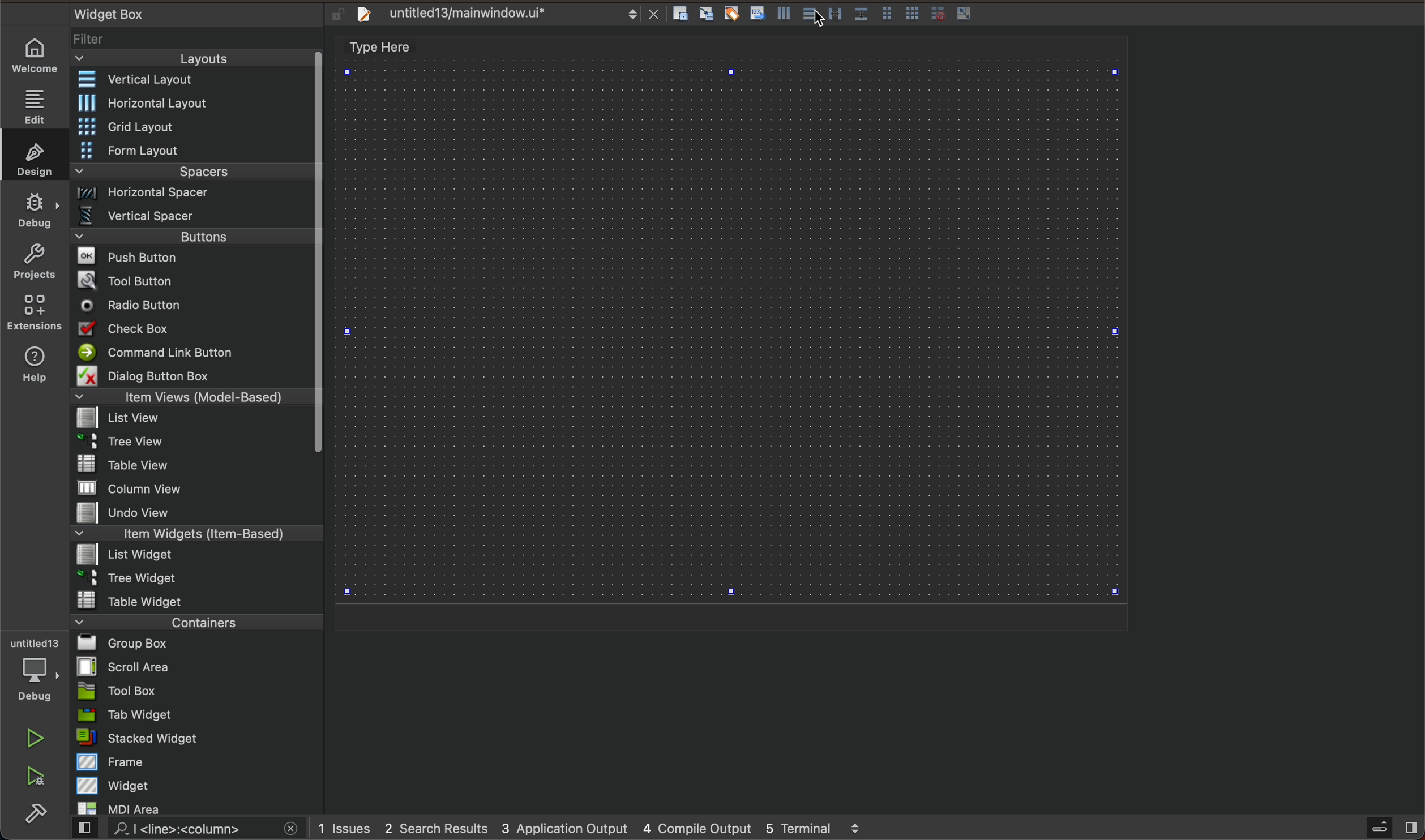 This screenshot has width=1425, height=840. Describe the element at coordinates (190, 808) in the screenshot. I see `MDI Area` at that location.